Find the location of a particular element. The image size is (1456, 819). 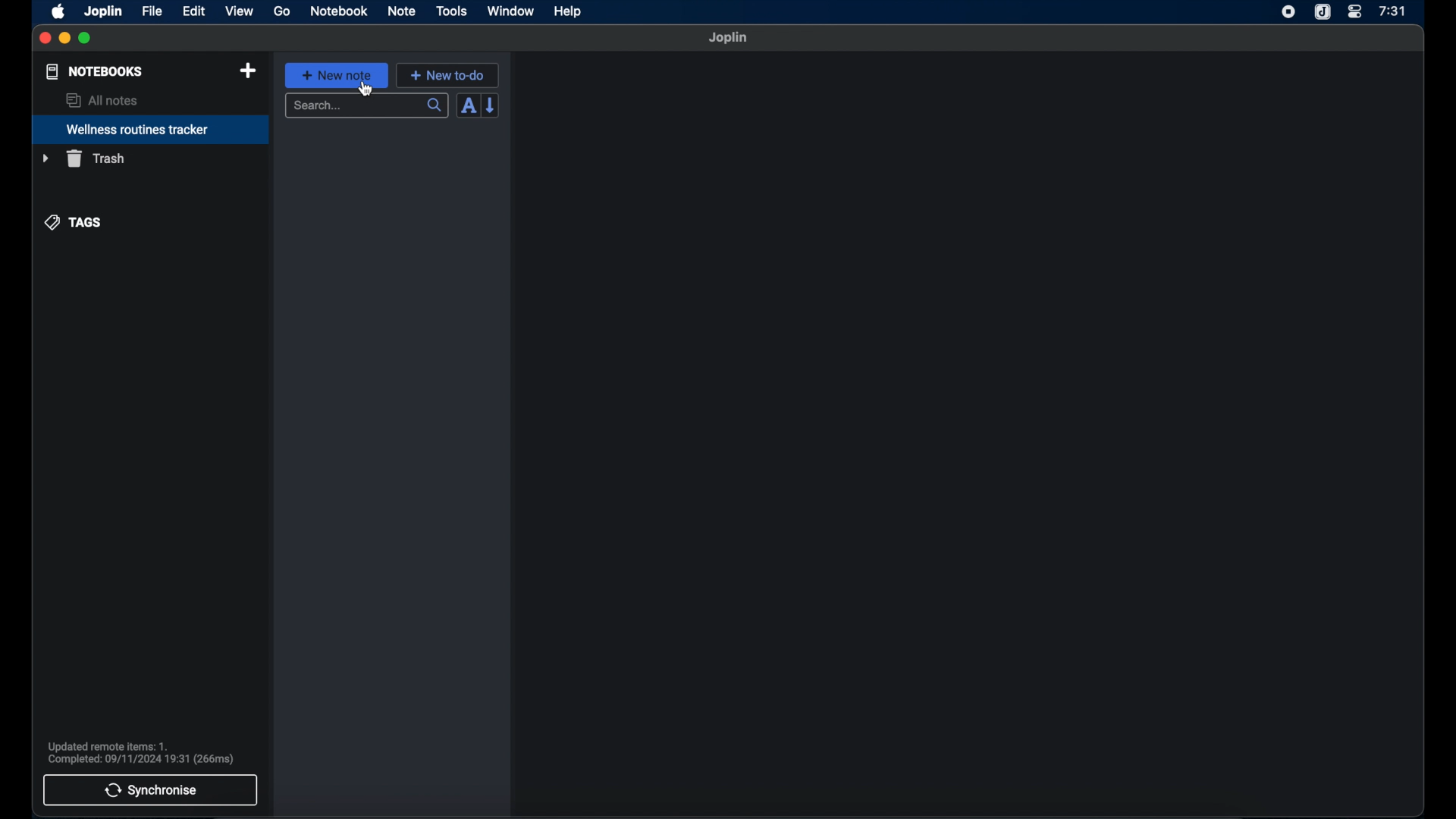

go is located at coordinates (282, 11).